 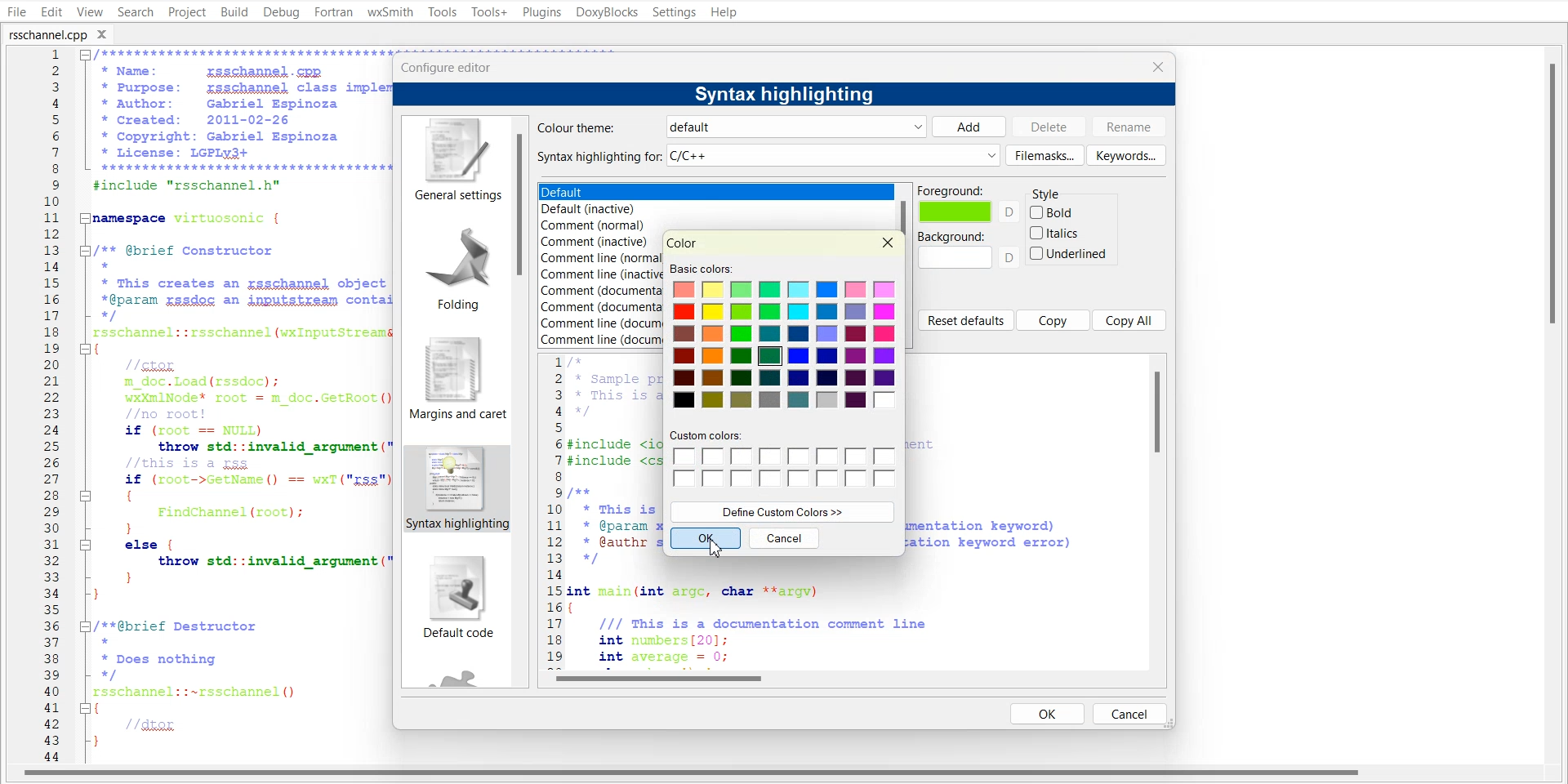 What do you see at coordinates (1056, 233) in the screenshot?
I see `Italics` at bounding box center [1056, 233].